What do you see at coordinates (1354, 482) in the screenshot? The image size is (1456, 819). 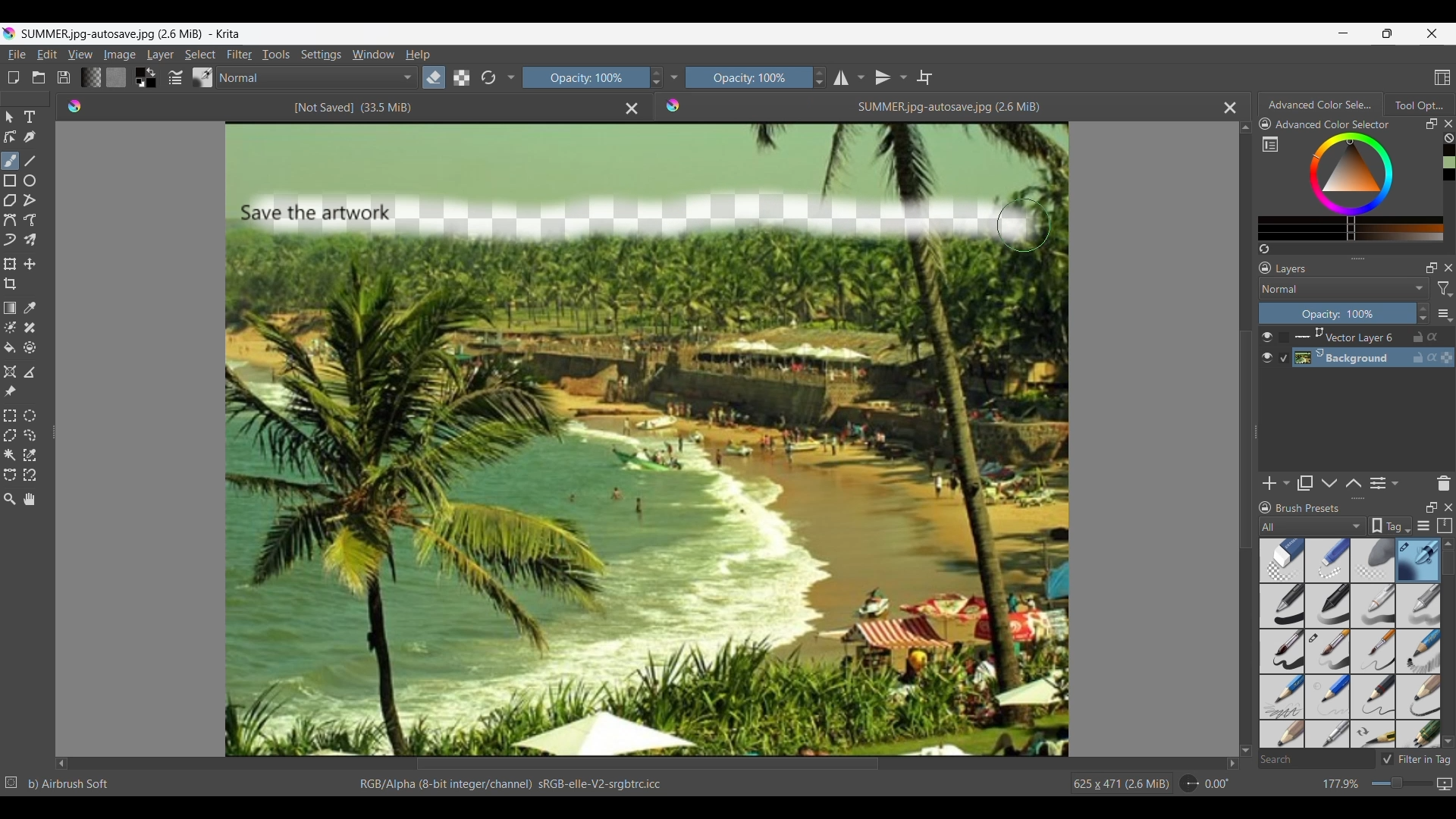 I see `Move layer up` at bounding box center [1354, 482].